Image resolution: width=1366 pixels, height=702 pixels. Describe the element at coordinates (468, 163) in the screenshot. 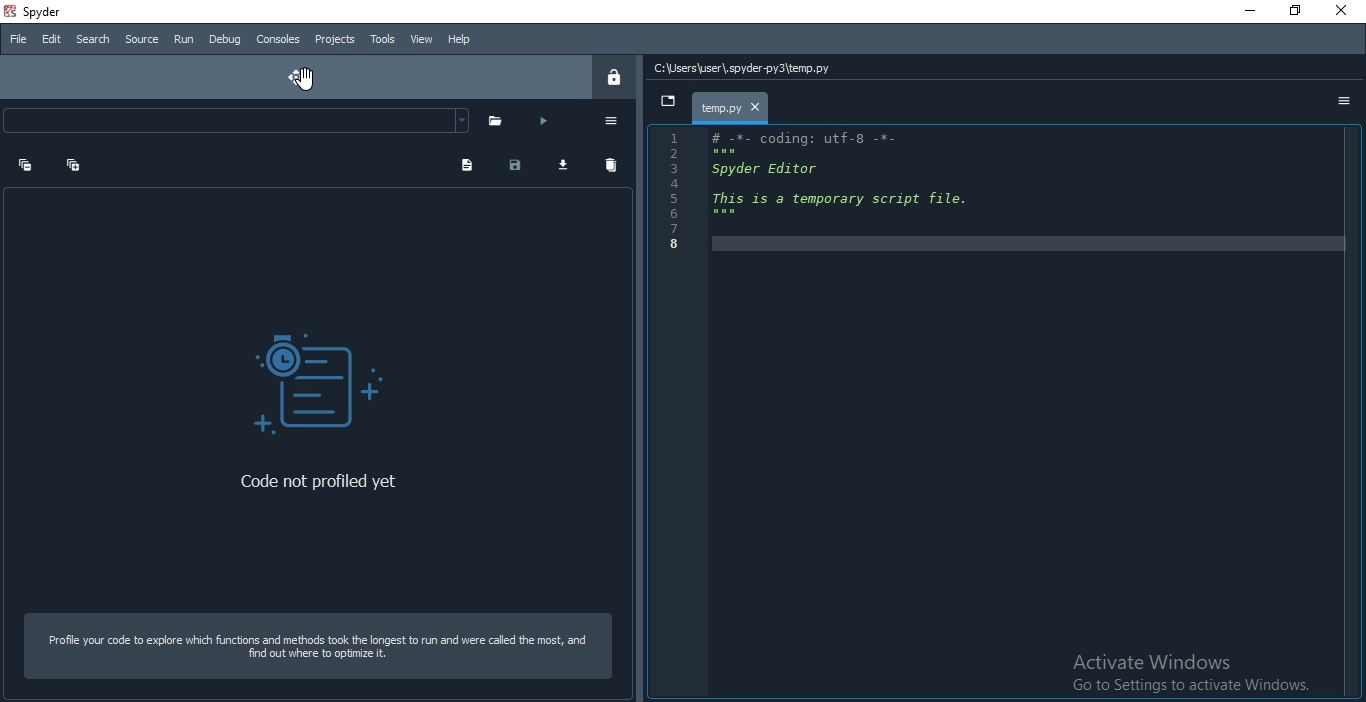

I see `document` at that location.